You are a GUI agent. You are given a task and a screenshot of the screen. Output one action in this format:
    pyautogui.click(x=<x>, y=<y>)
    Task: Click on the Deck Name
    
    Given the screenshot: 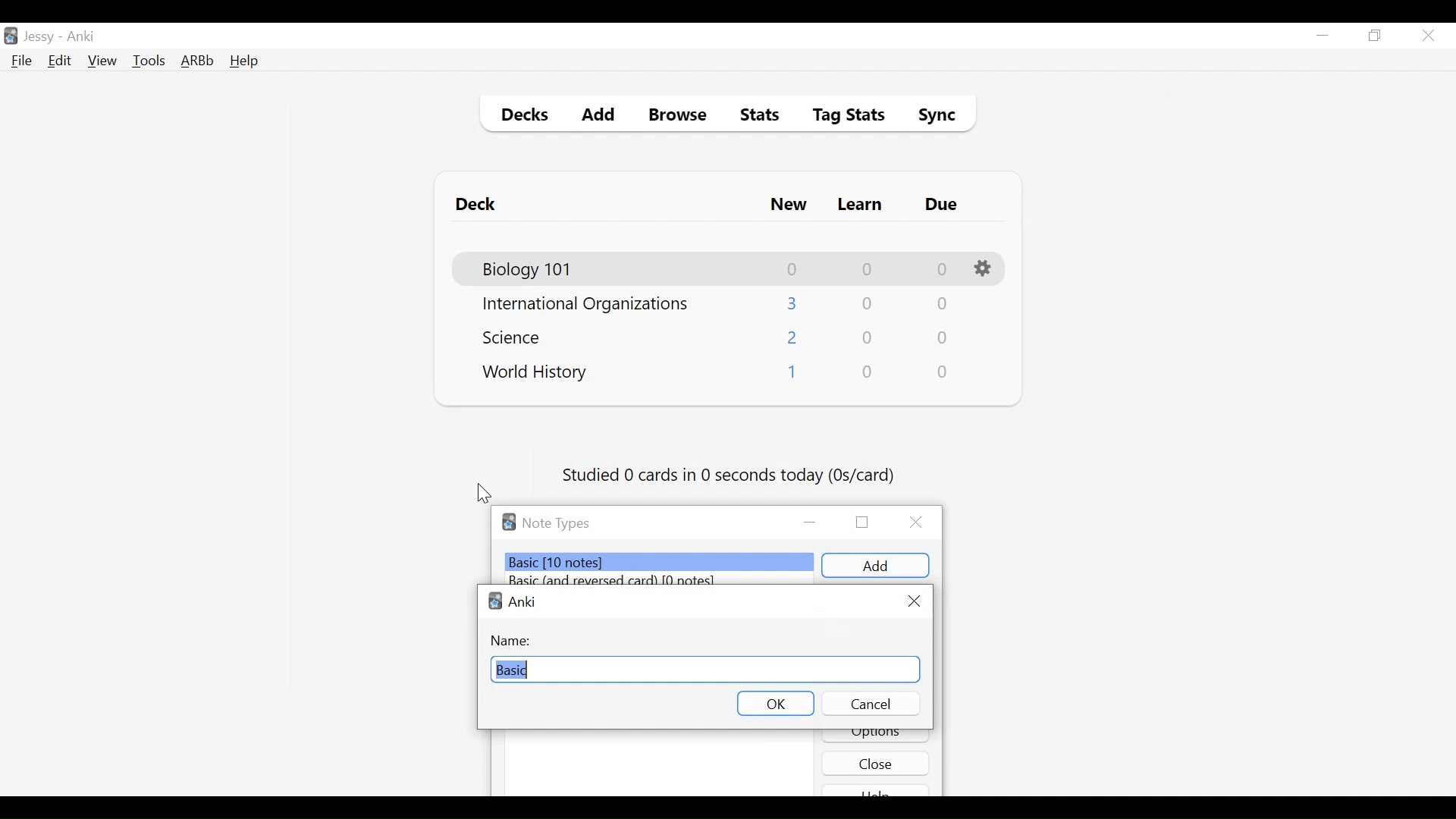 What is the action you would take?
    pyautogui.click(x=585, y=305)
    